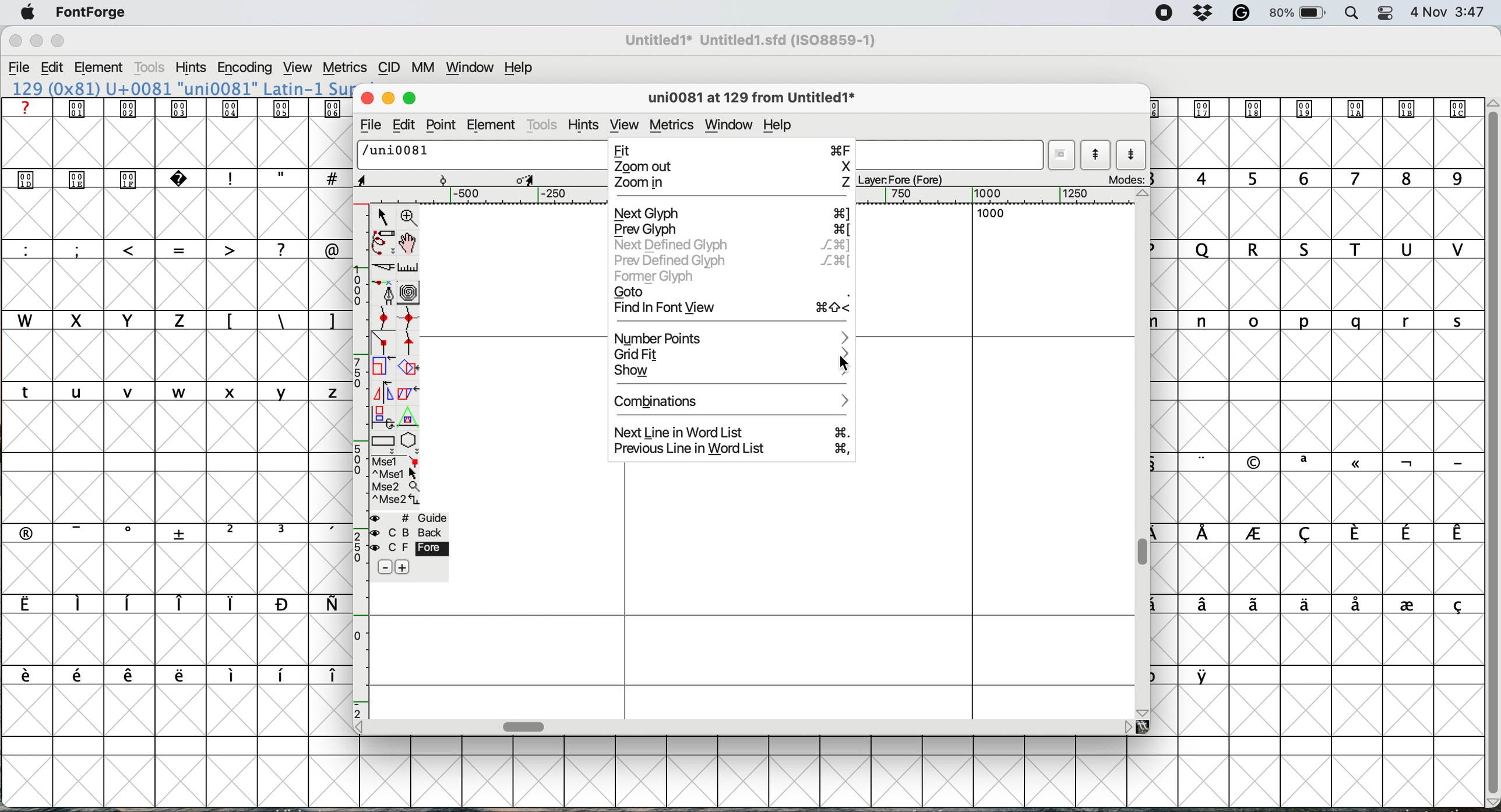 Image resolution: width=1501 pixels, height=812 pixels. Describe the element at coordinates (16, 41) in the screenshot. I see `Close` at that location.